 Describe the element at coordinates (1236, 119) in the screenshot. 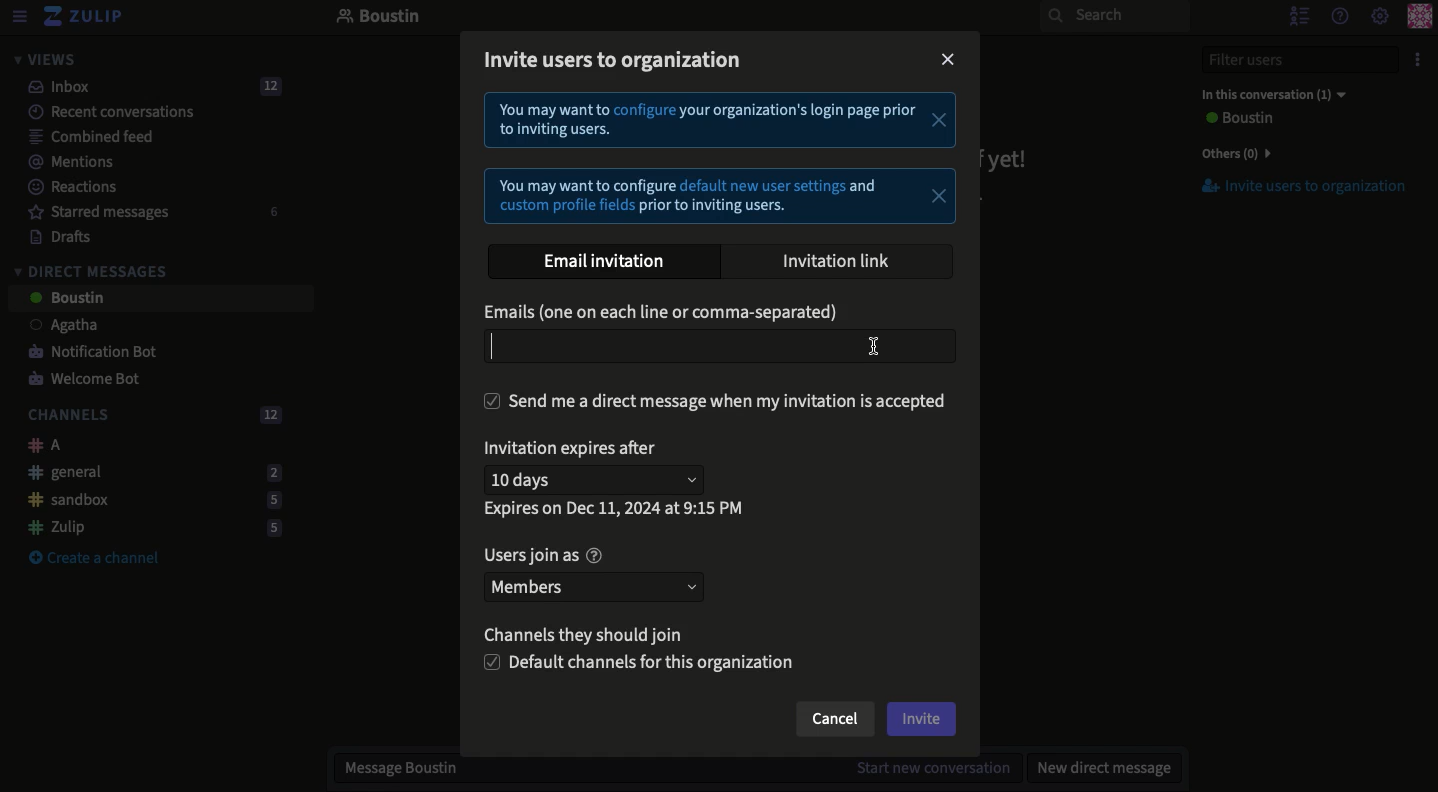

I see `User` at that location.